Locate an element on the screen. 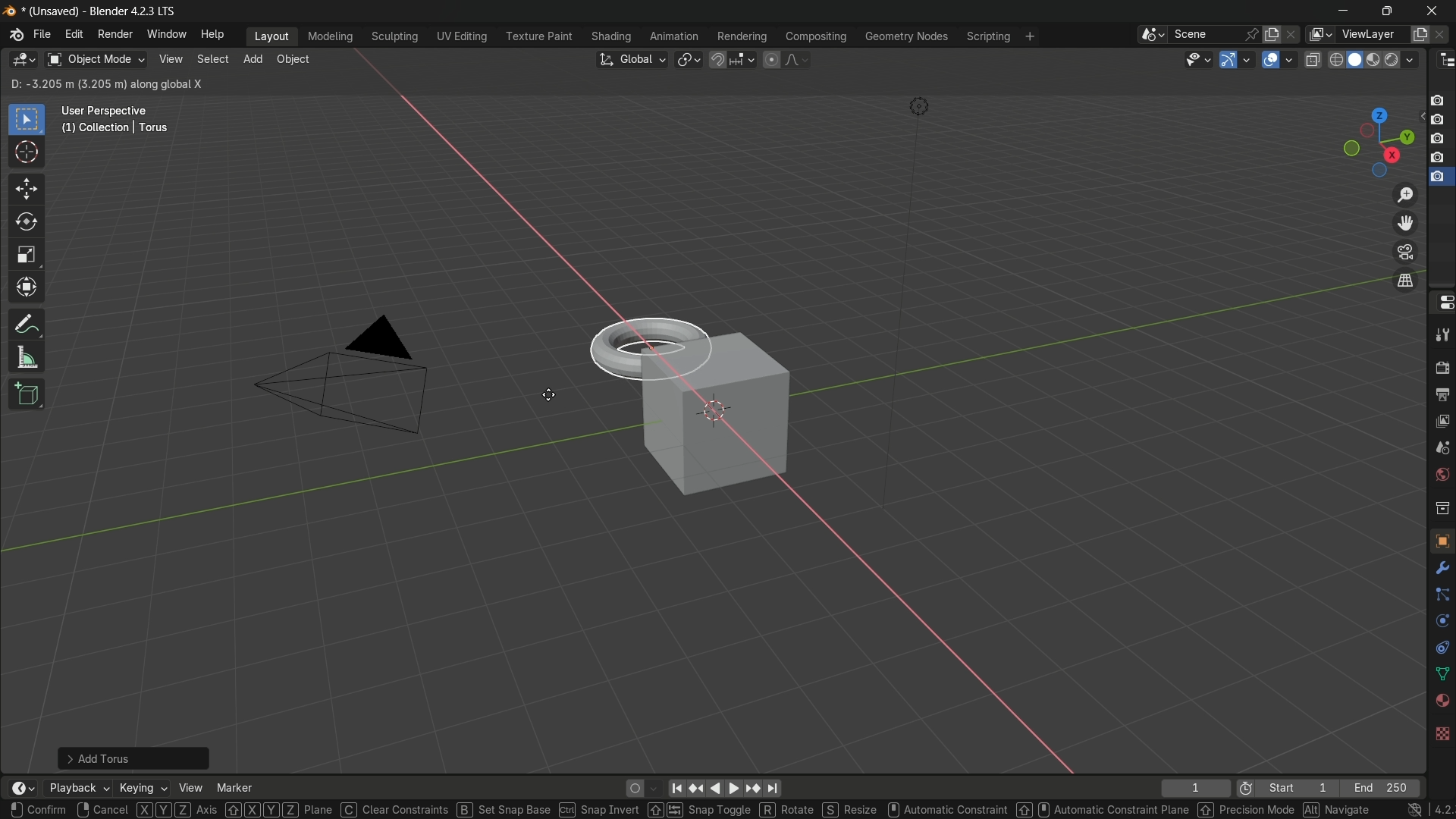  compositing is located at coordinates (816, 36).